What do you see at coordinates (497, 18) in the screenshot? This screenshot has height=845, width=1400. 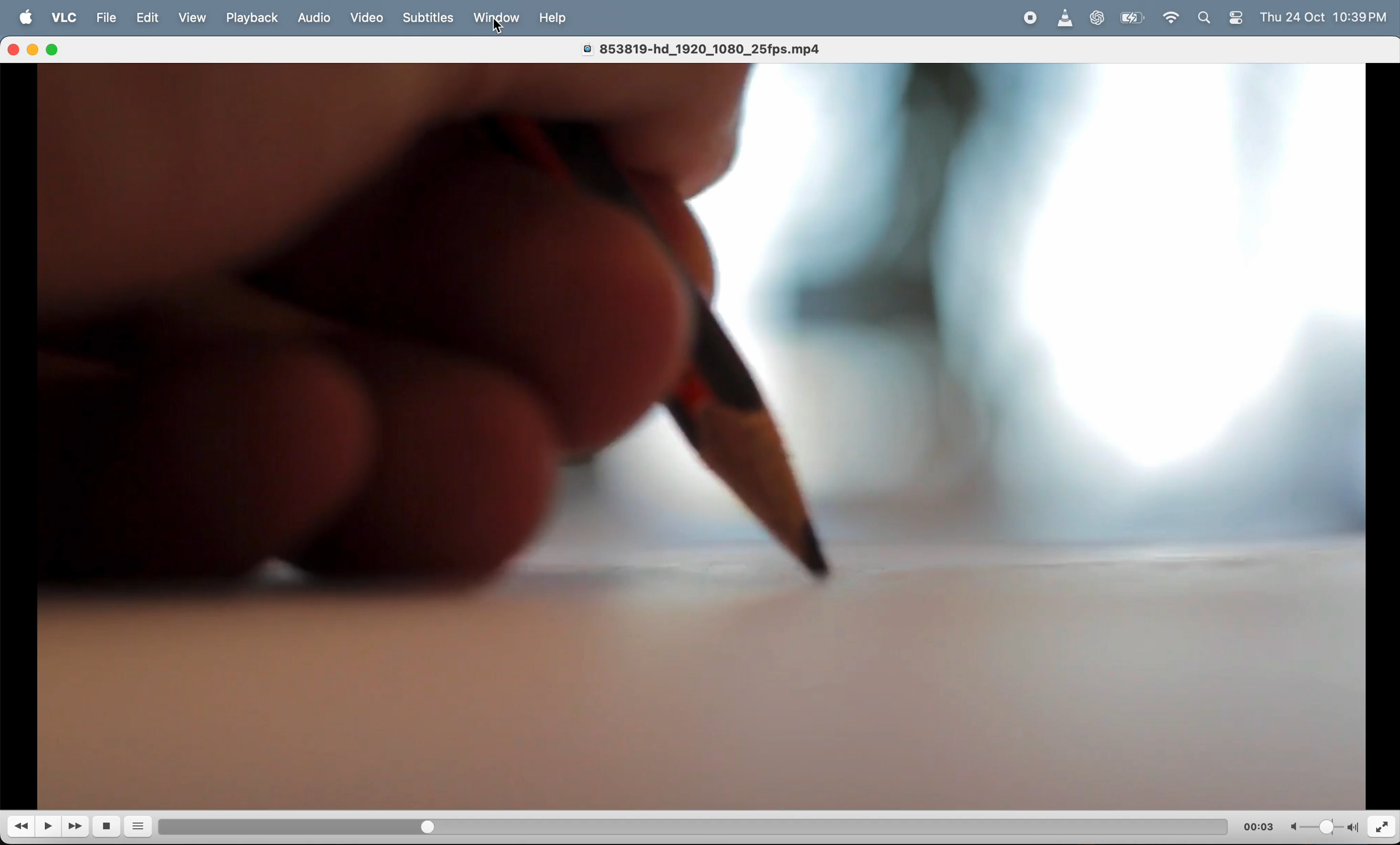 I see `` at bounding box center [497, 18].